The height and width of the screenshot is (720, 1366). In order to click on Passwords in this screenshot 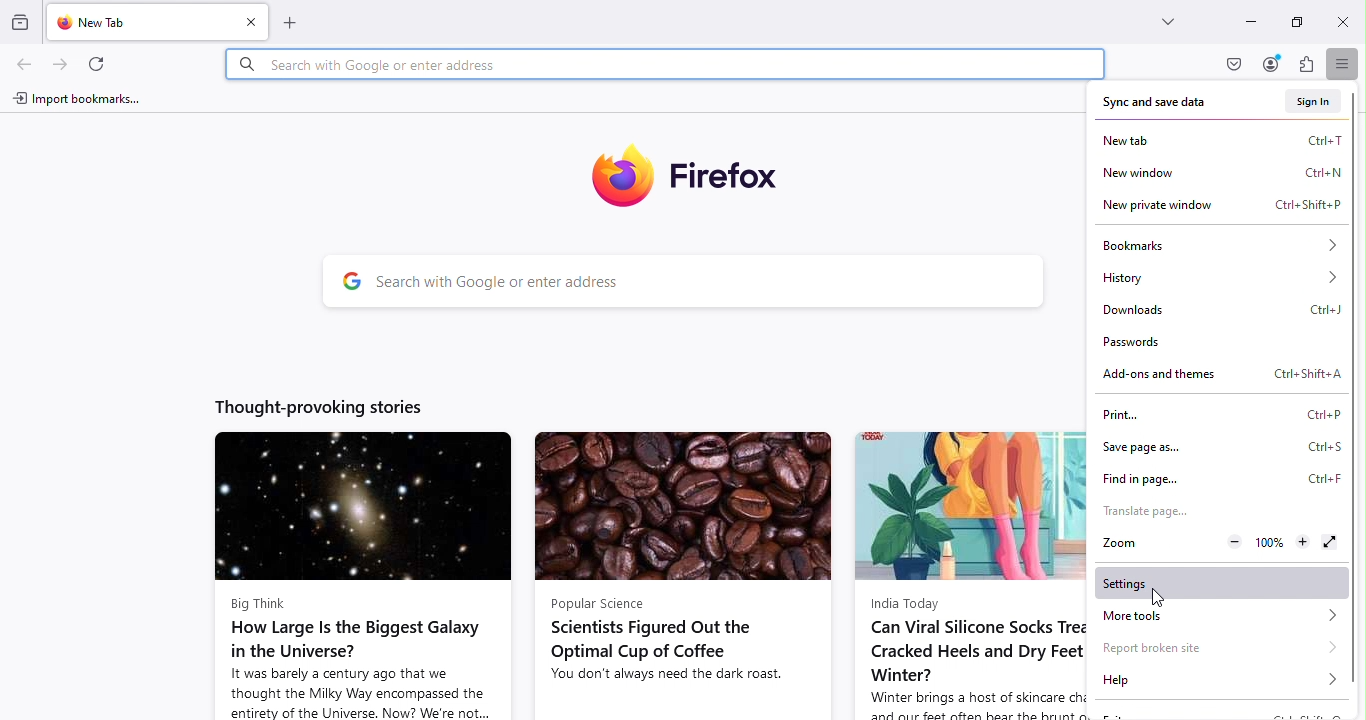, I will do `click(1142, 345)`.